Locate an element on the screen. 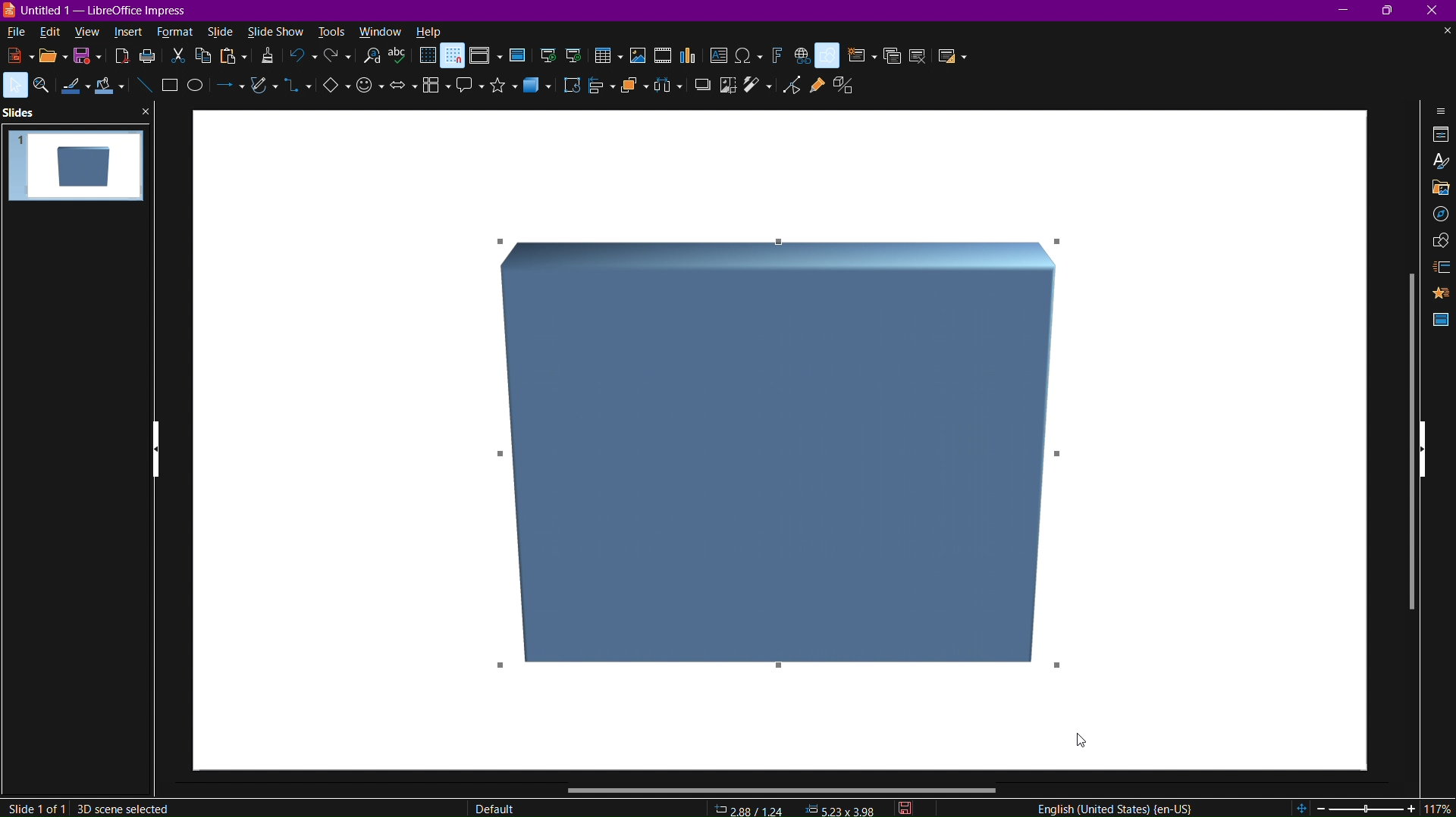 The image size is (1456, 817). save is located at coordinates (89, 60).